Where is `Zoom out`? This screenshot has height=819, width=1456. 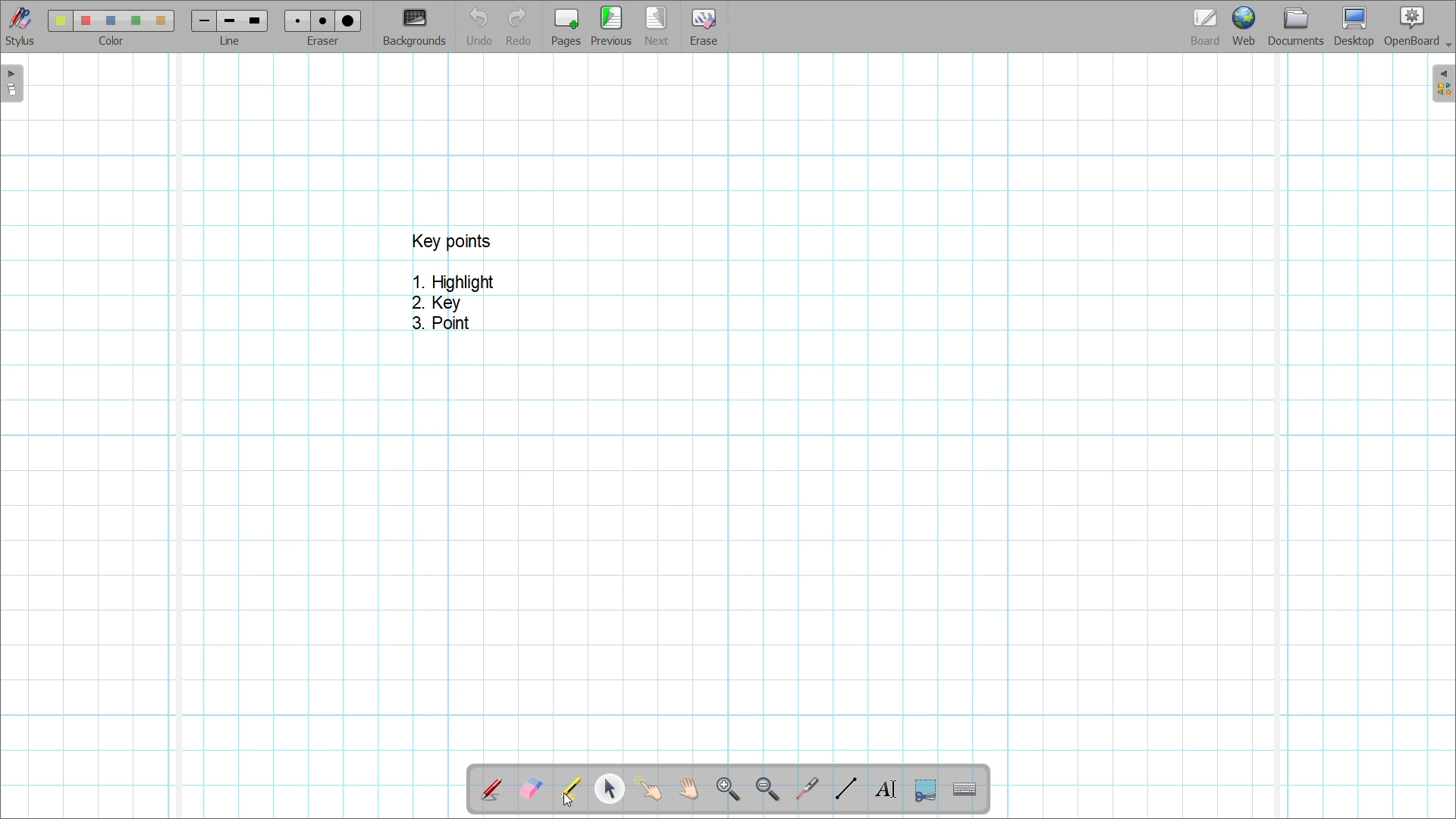
Zoom out is located at coordinates (768, 790).